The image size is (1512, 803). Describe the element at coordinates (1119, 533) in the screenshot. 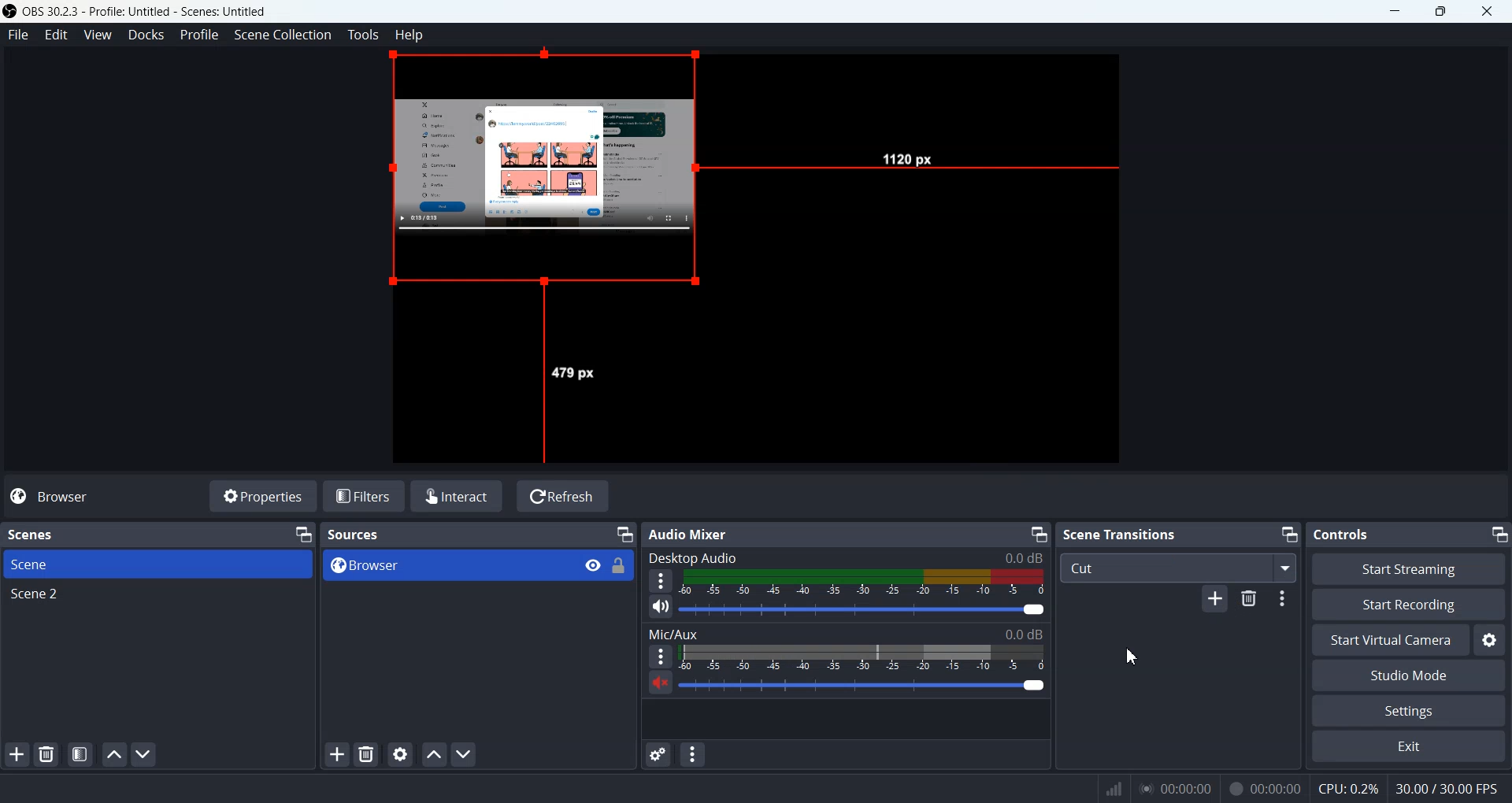

I see `Text` at that location.